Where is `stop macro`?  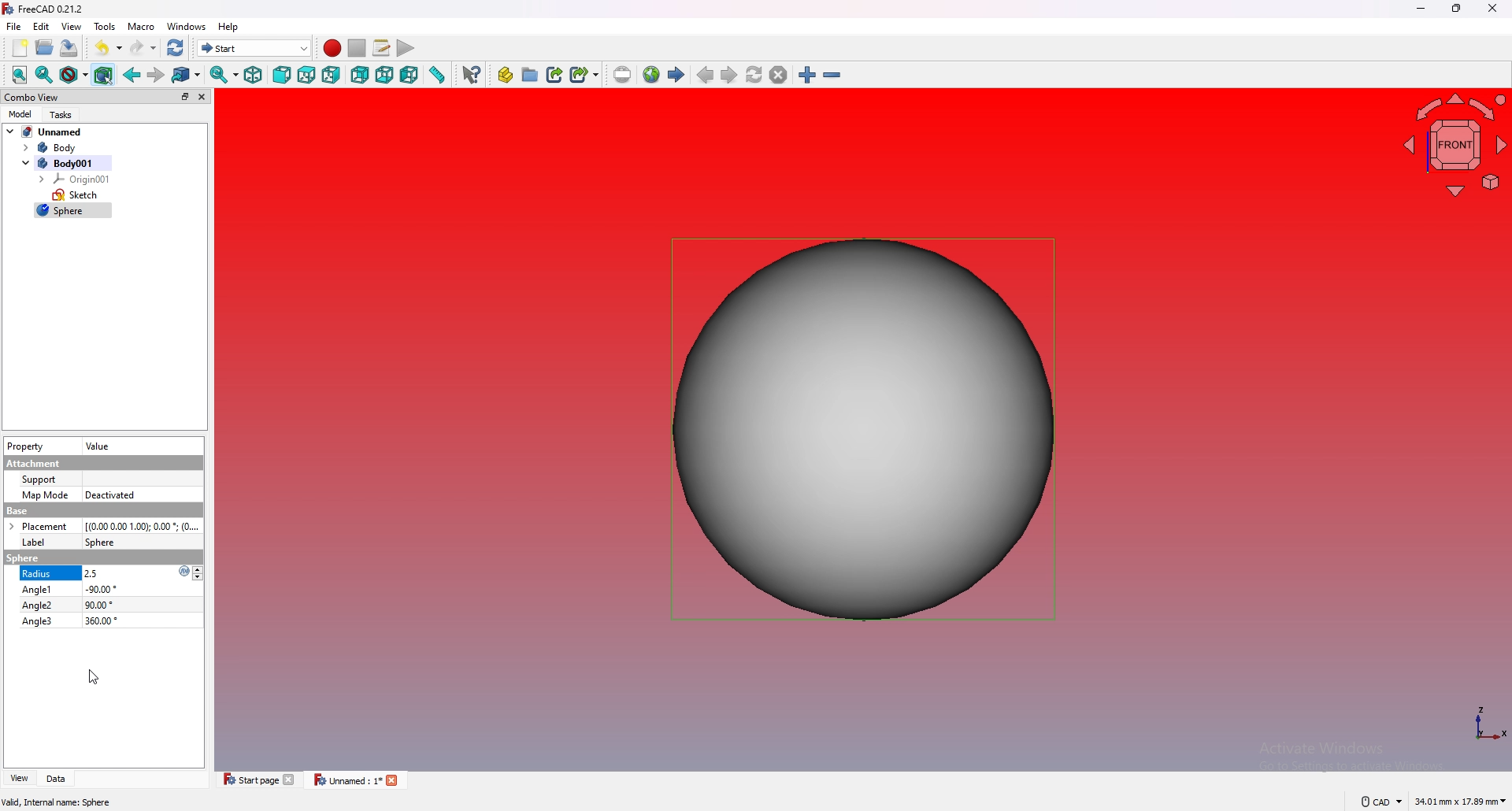
stop macro is located at coordinates (358, 48).